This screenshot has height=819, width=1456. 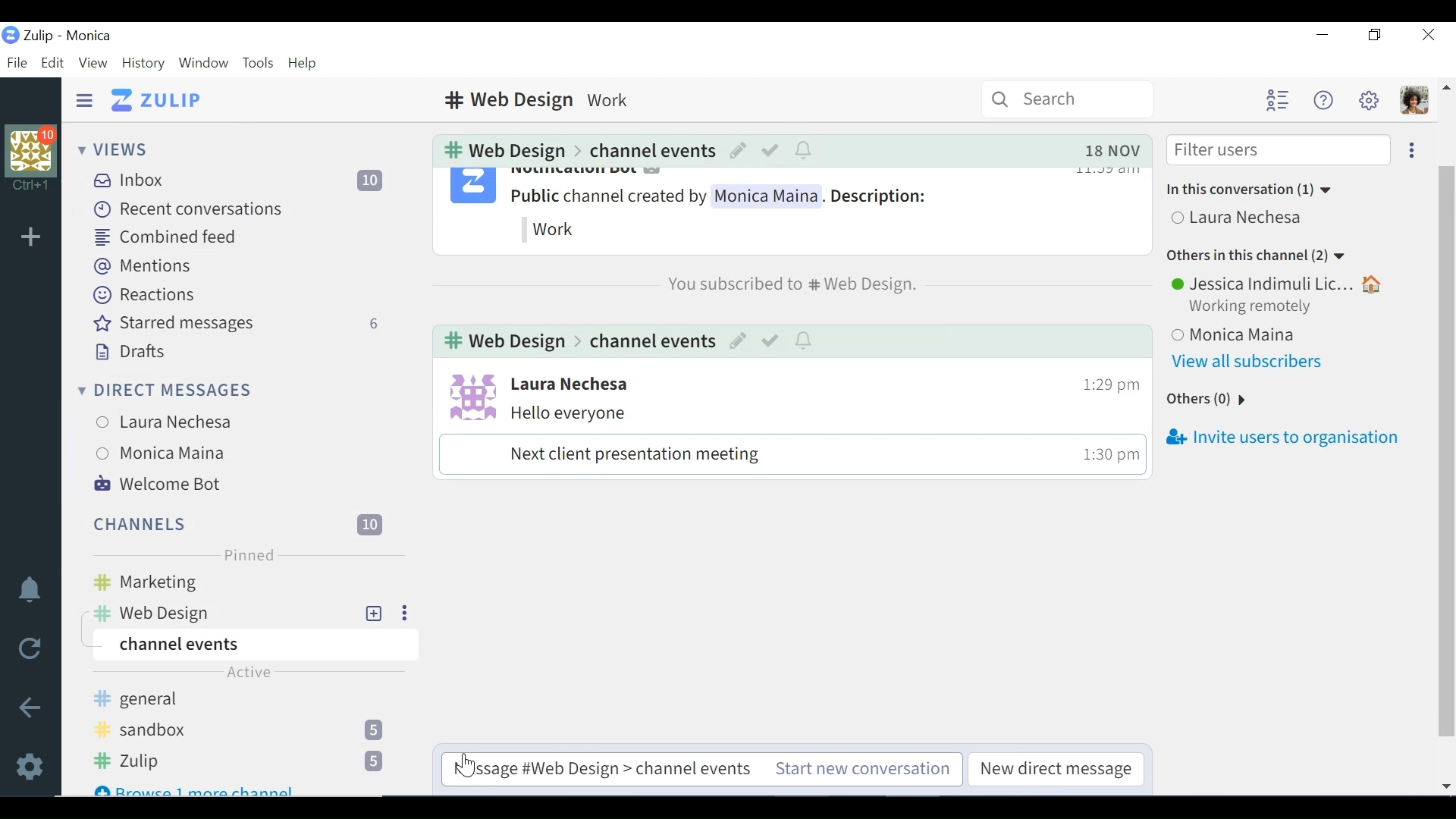 I want to click on User, so click(x=172, y=454).